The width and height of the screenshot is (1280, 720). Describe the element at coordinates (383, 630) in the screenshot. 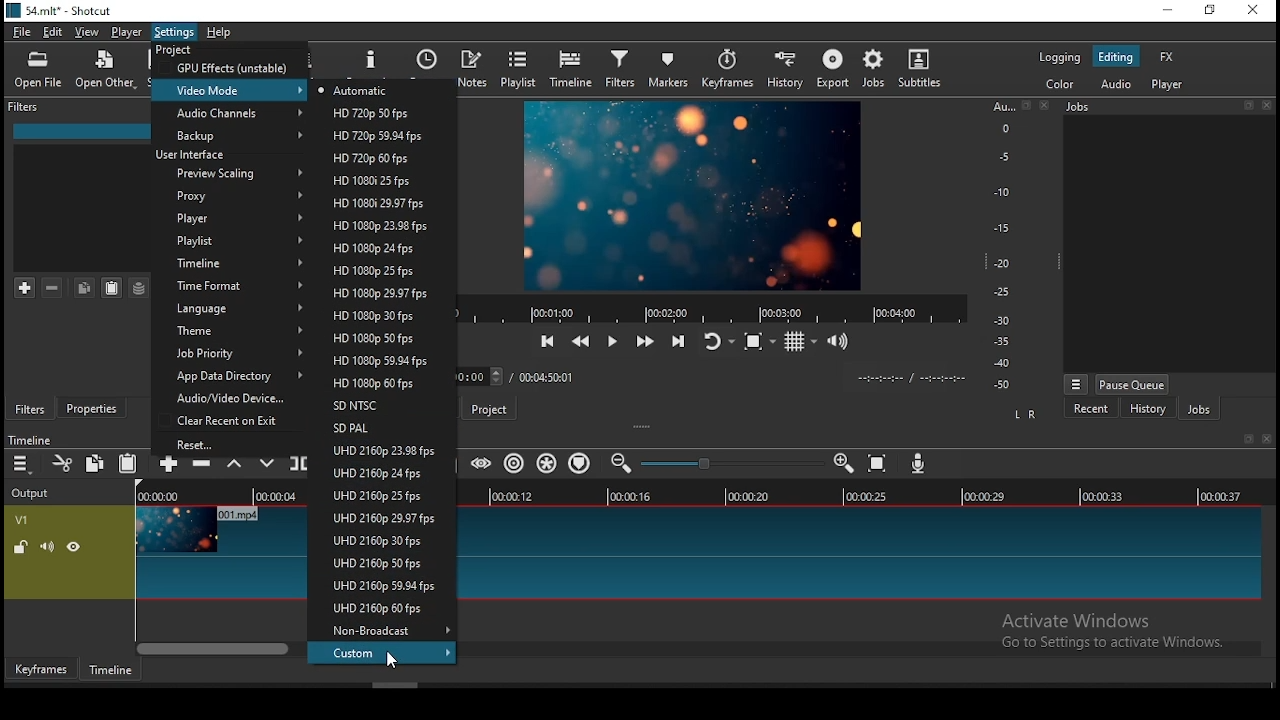

I see `resolution option` at that location.